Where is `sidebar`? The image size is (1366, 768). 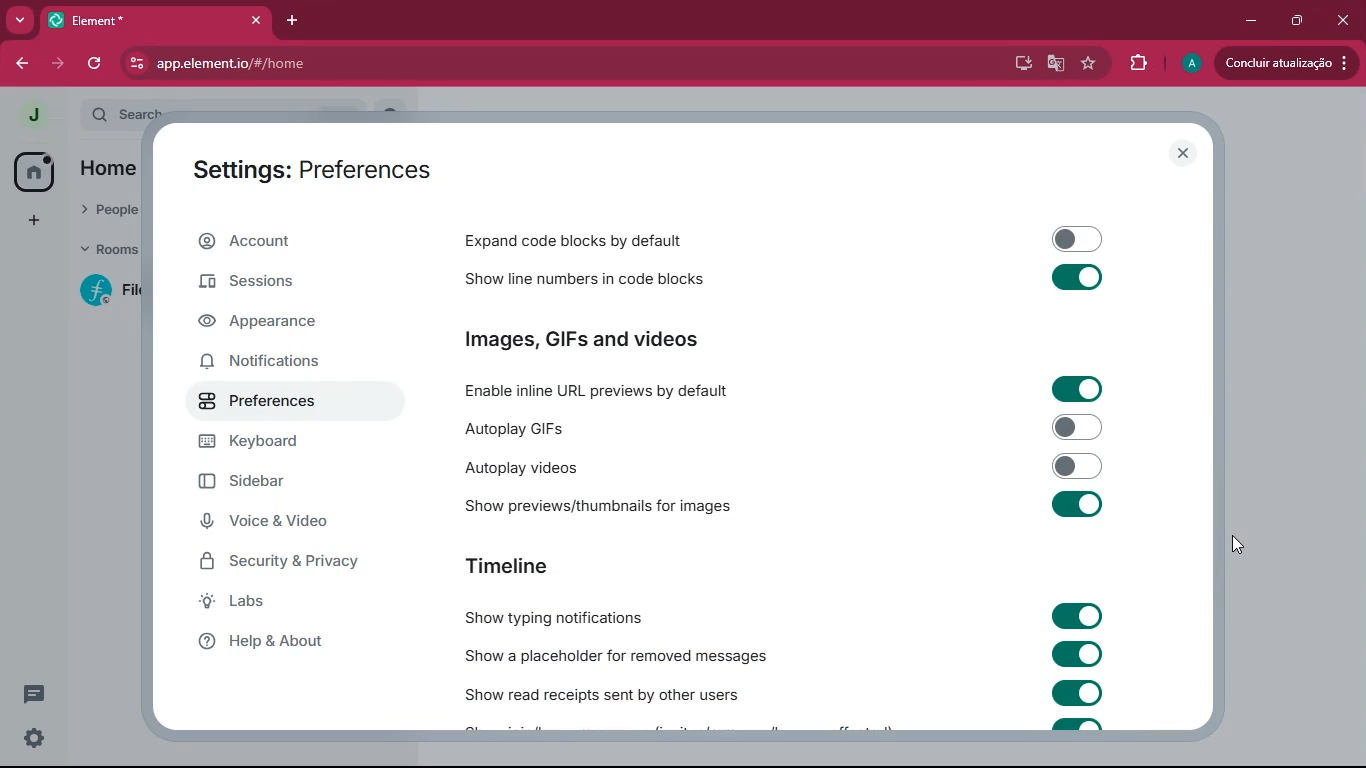 sidebar is located at coordinates (276, 483).